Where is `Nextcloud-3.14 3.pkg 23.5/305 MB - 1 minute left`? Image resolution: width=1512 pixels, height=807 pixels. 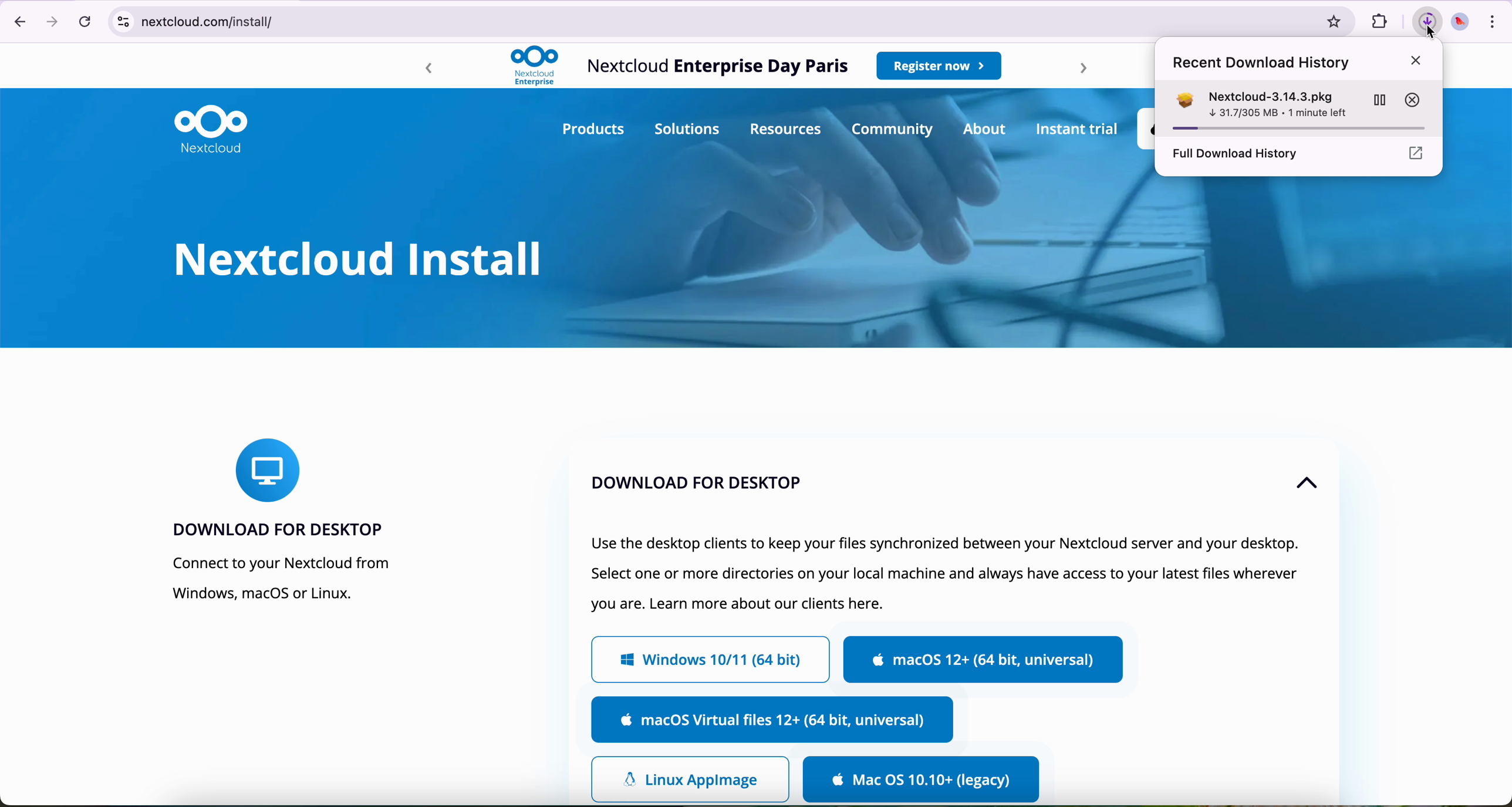
Nextcloud-3.14 3.pkg 23.5/305 MB - 1 minute left is located at coordinates (1298, 107).